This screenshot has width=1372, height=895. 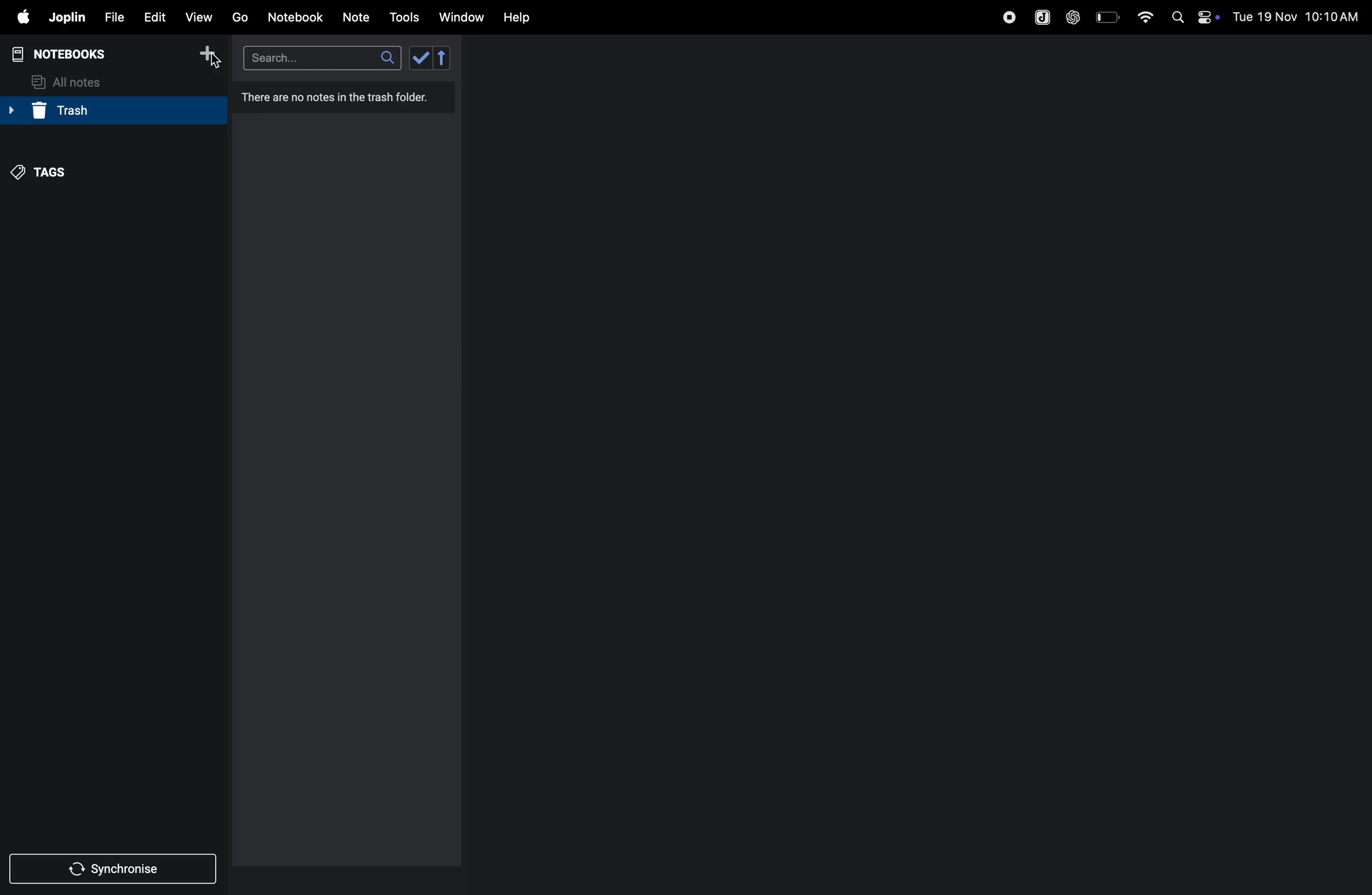 I want to click on joplin, so click(x=1039, y=16).